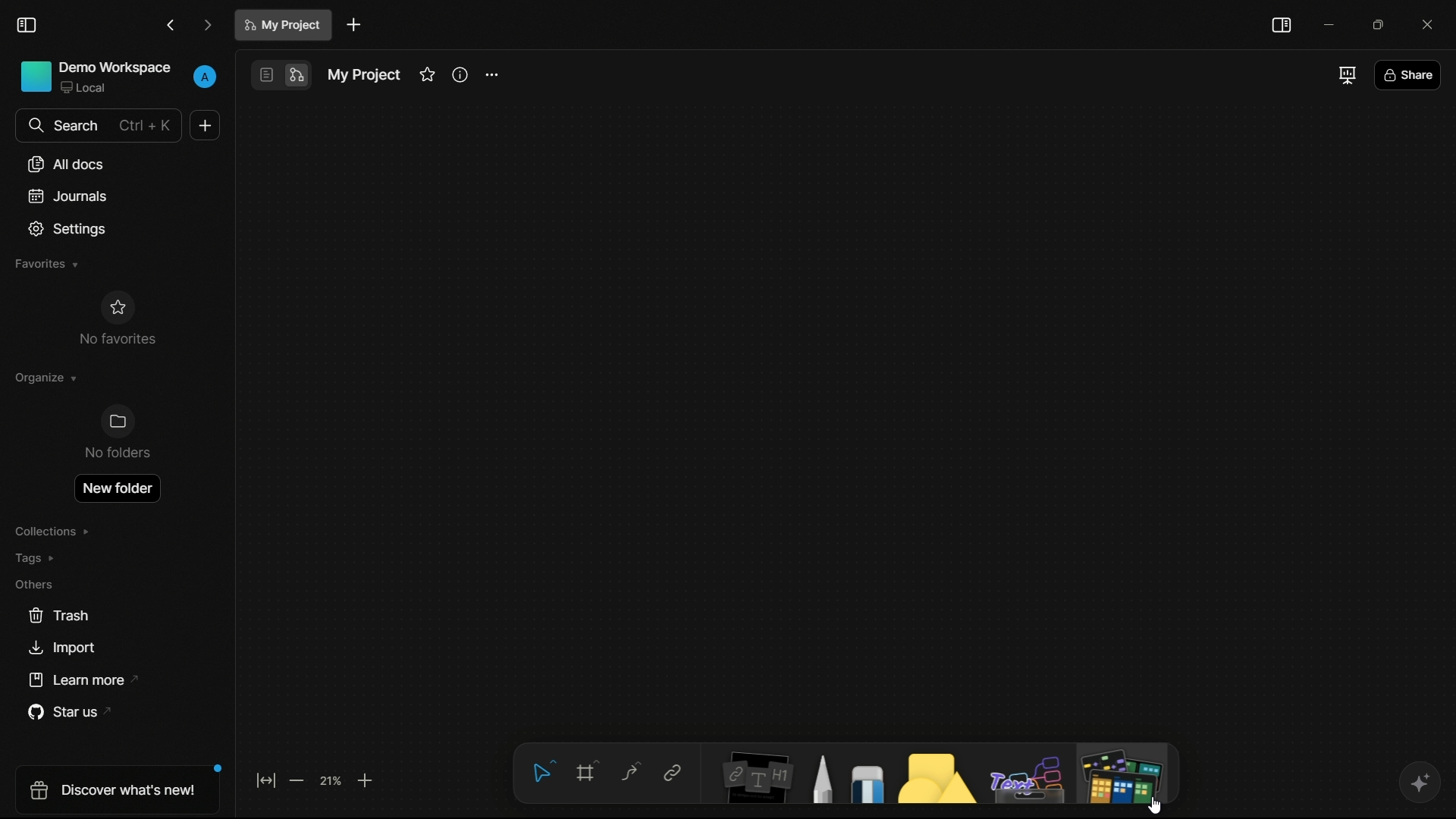 Image resolution: width=1456 pixels, height=819 pixels. I want to click on close app, so click(1425, 22).